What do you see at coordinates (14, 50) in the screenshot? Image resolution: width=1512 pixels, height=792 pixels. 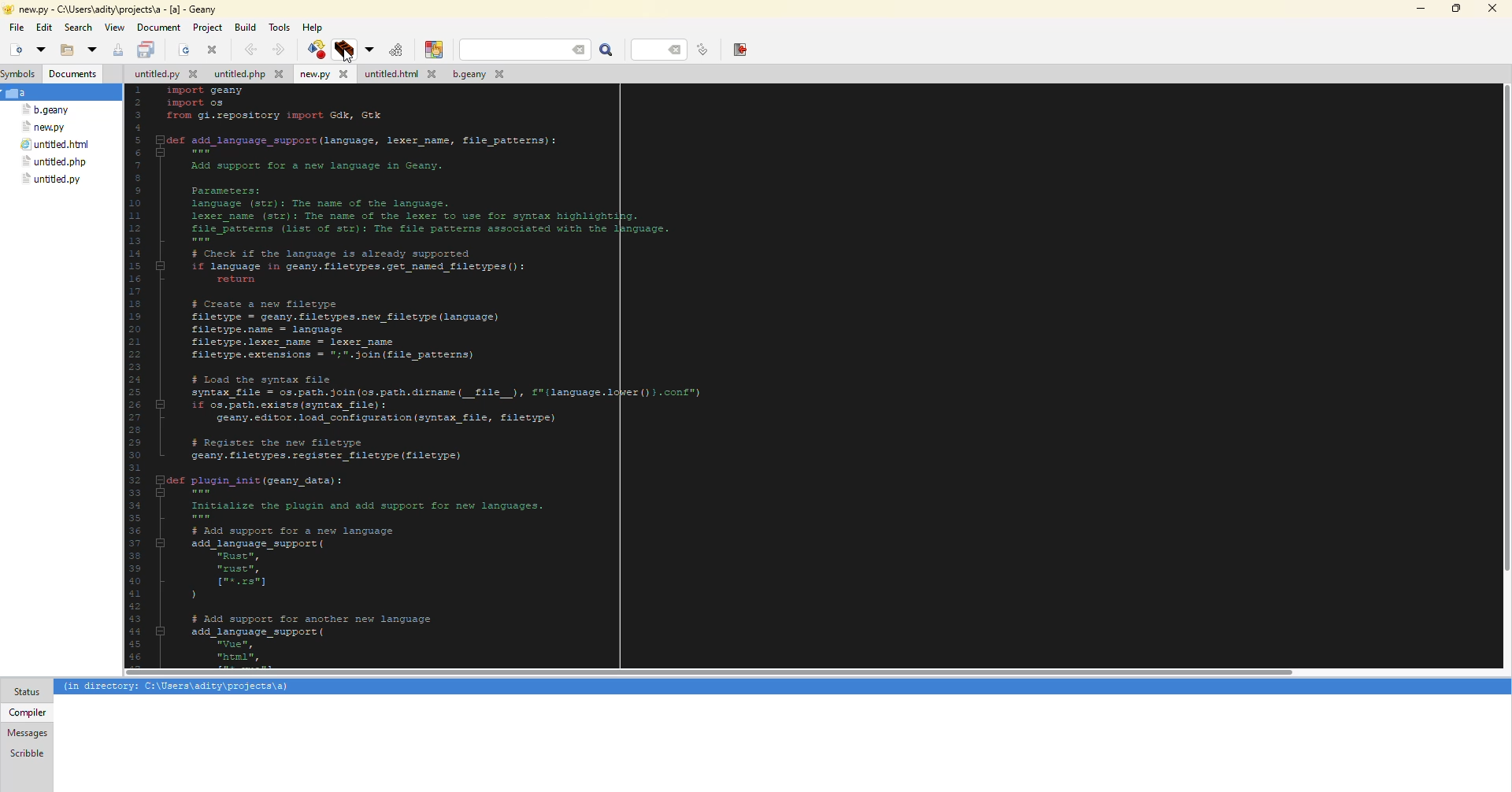 I see `new` at bounding box center [14, 50].